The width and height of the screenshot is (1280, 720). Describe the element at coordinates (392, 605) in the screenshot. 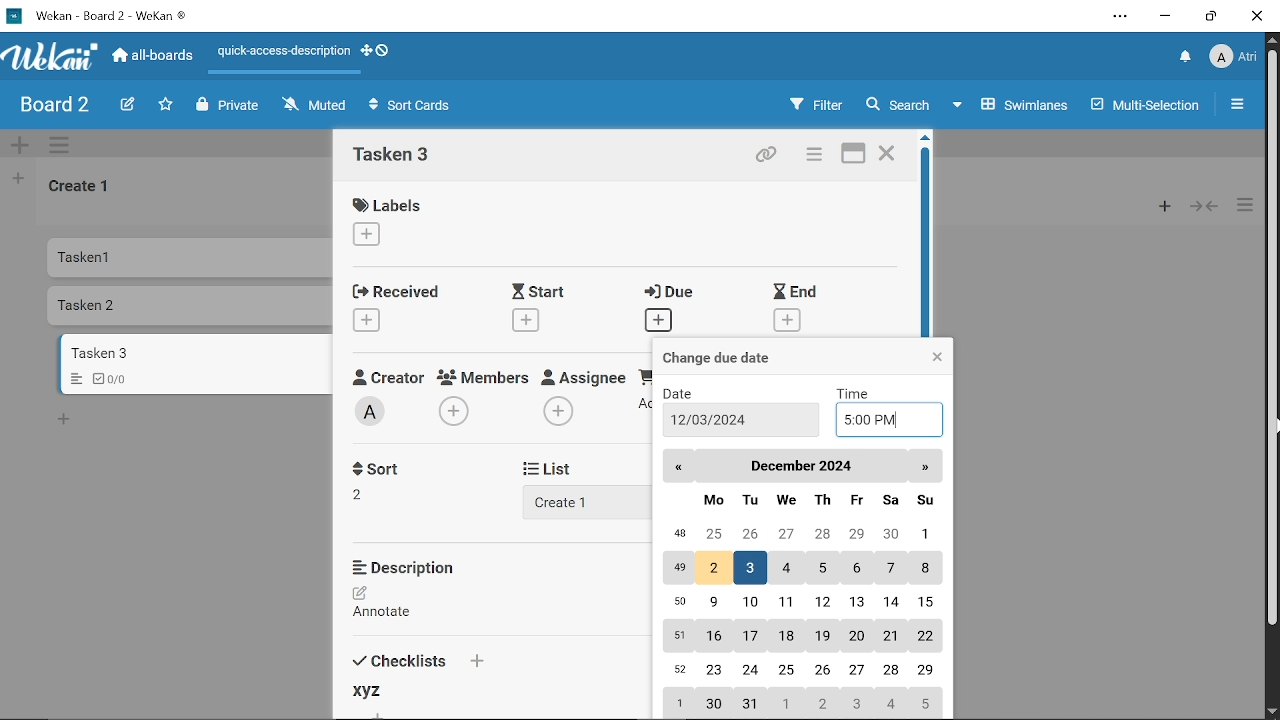

I see `Add description` at that location.